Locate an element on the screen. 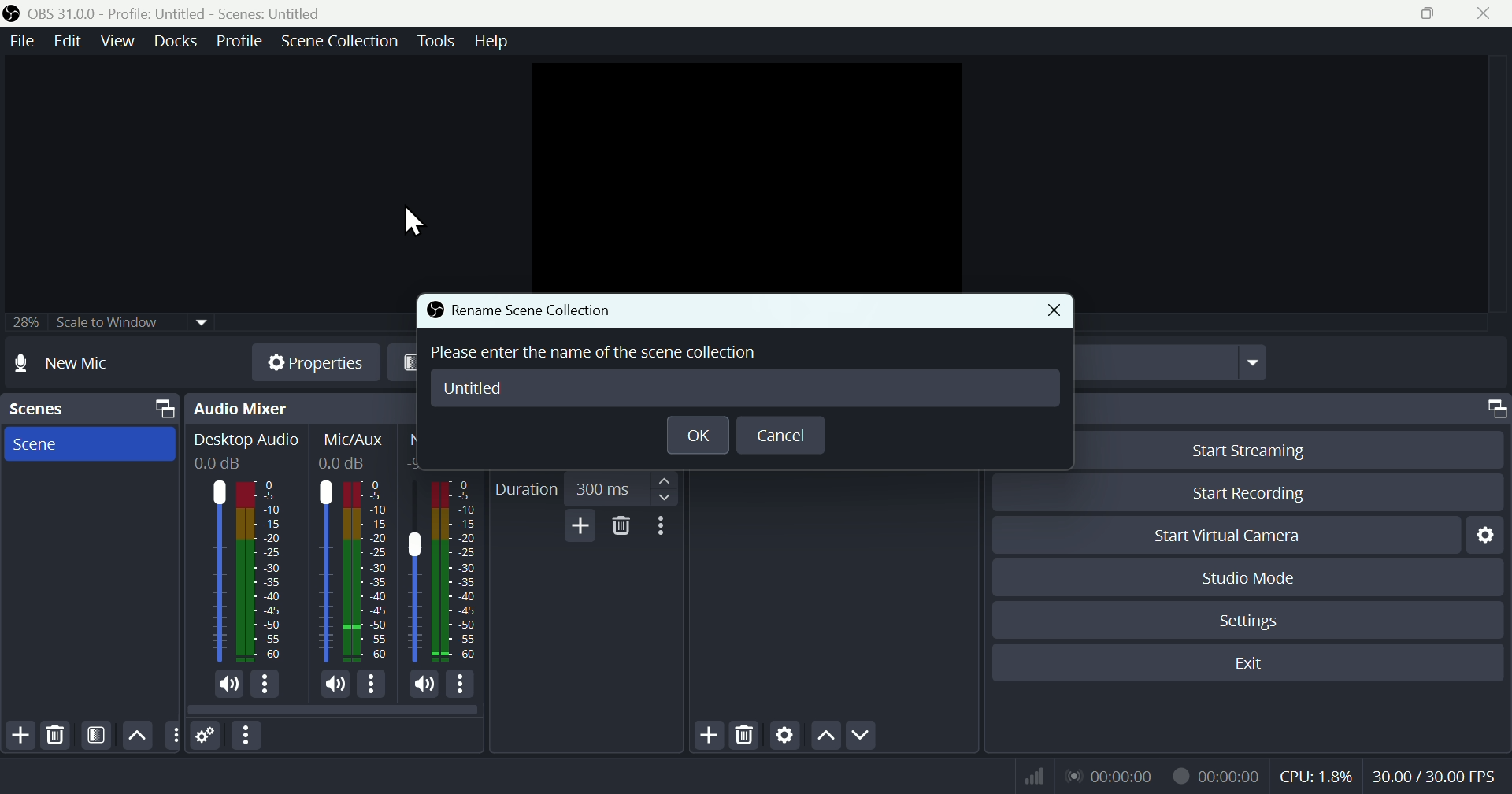 This screenshot has height=794, width=1512. Duration 300 millisecond  is located at coordinates (584, 486).